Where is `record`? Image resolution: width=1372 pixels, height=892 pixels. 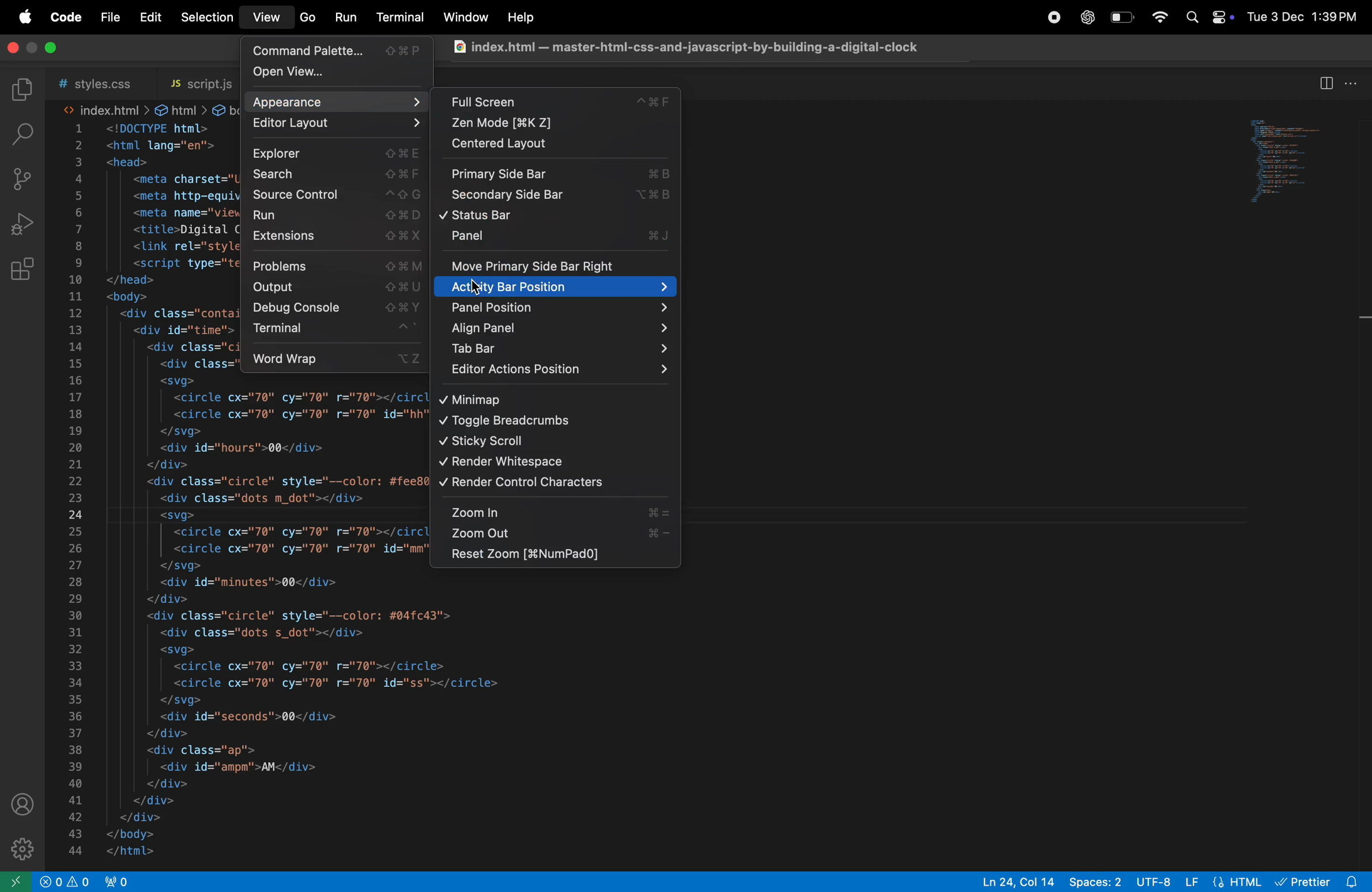 record is located at coordinates (1048, 18).